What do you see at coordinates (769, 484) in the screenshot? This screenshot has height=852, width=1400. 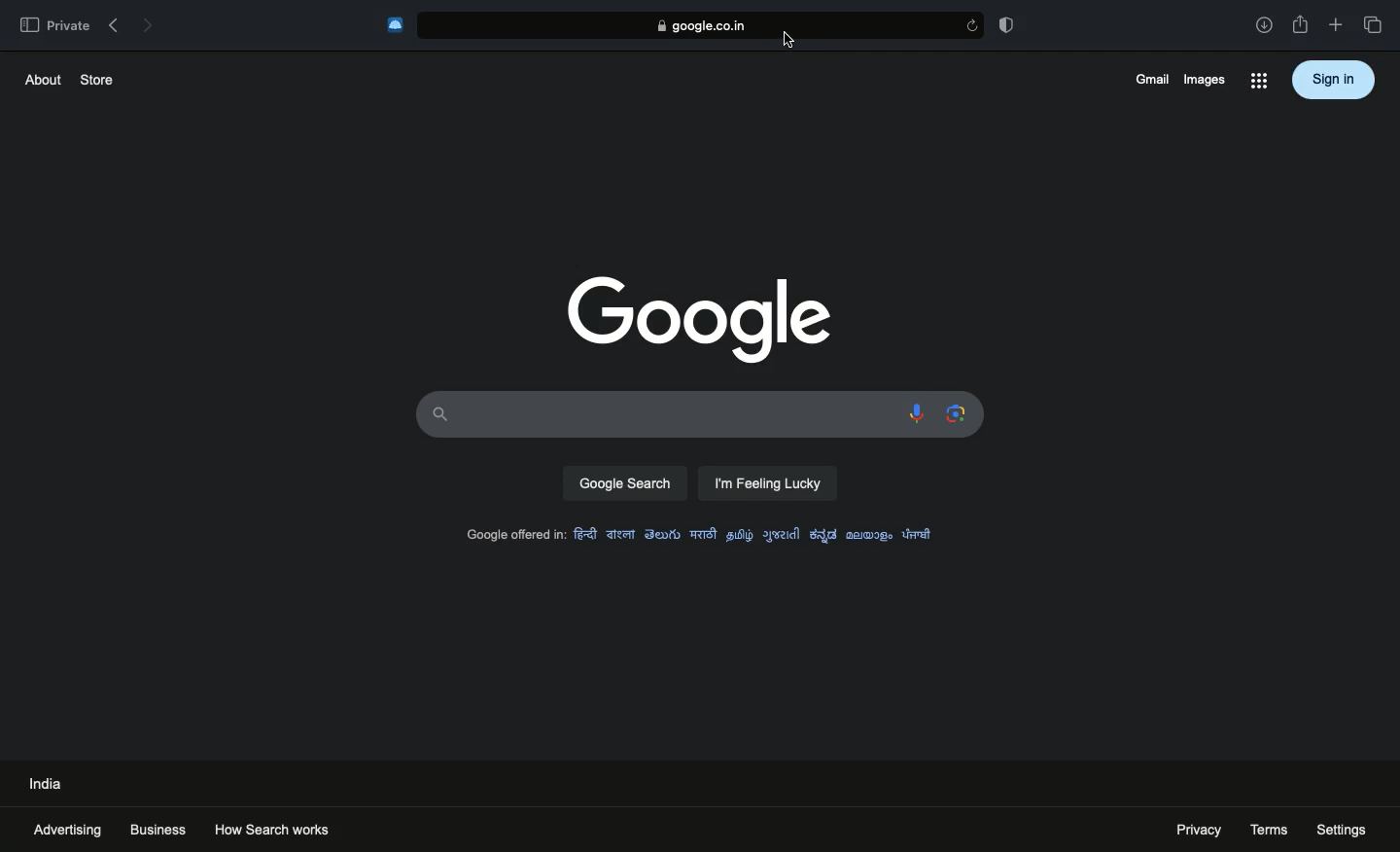 I see `feeling lucky` at bounding box center [769, 484].